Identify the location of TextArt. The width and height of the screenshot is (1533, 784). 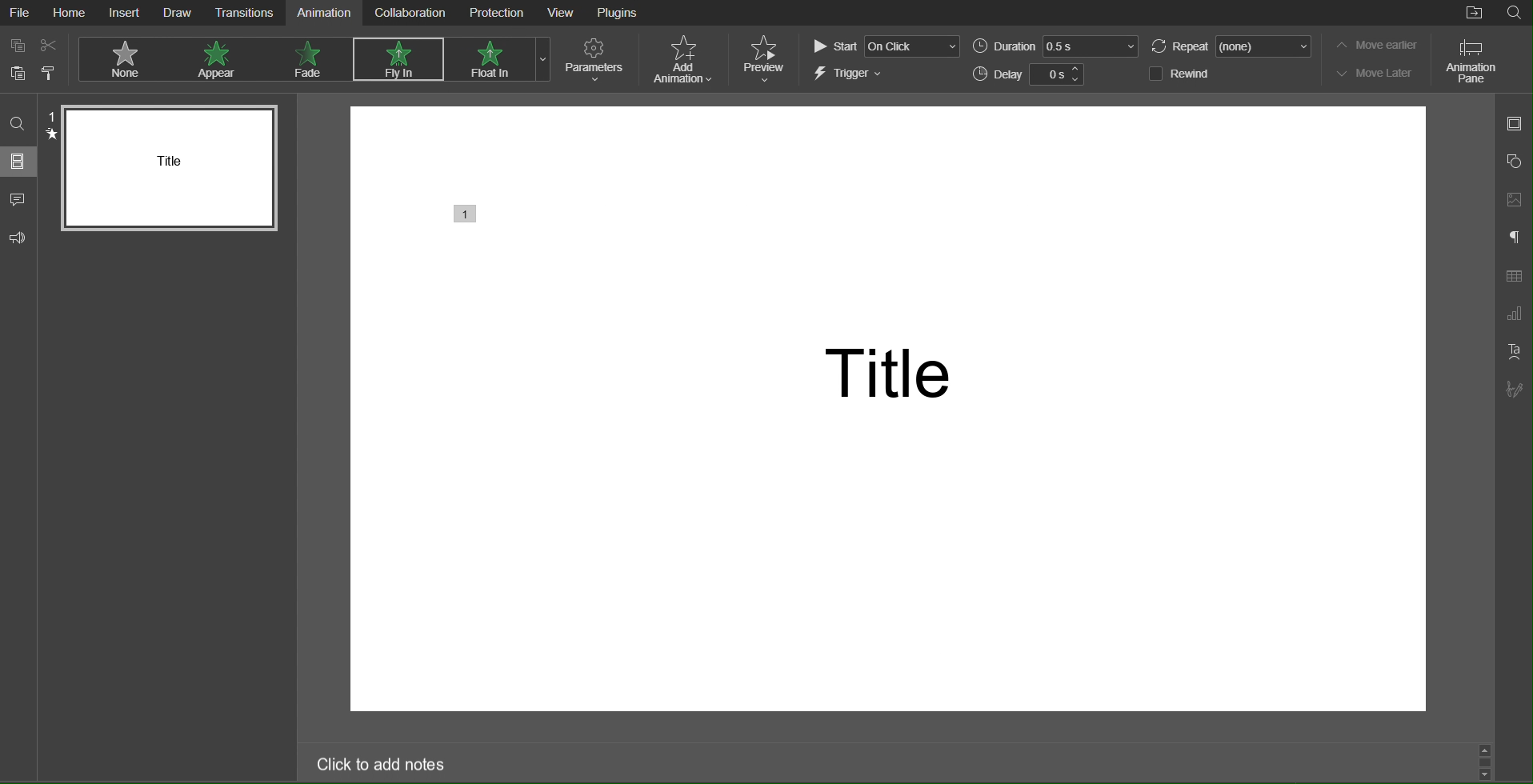
(1512, 352).